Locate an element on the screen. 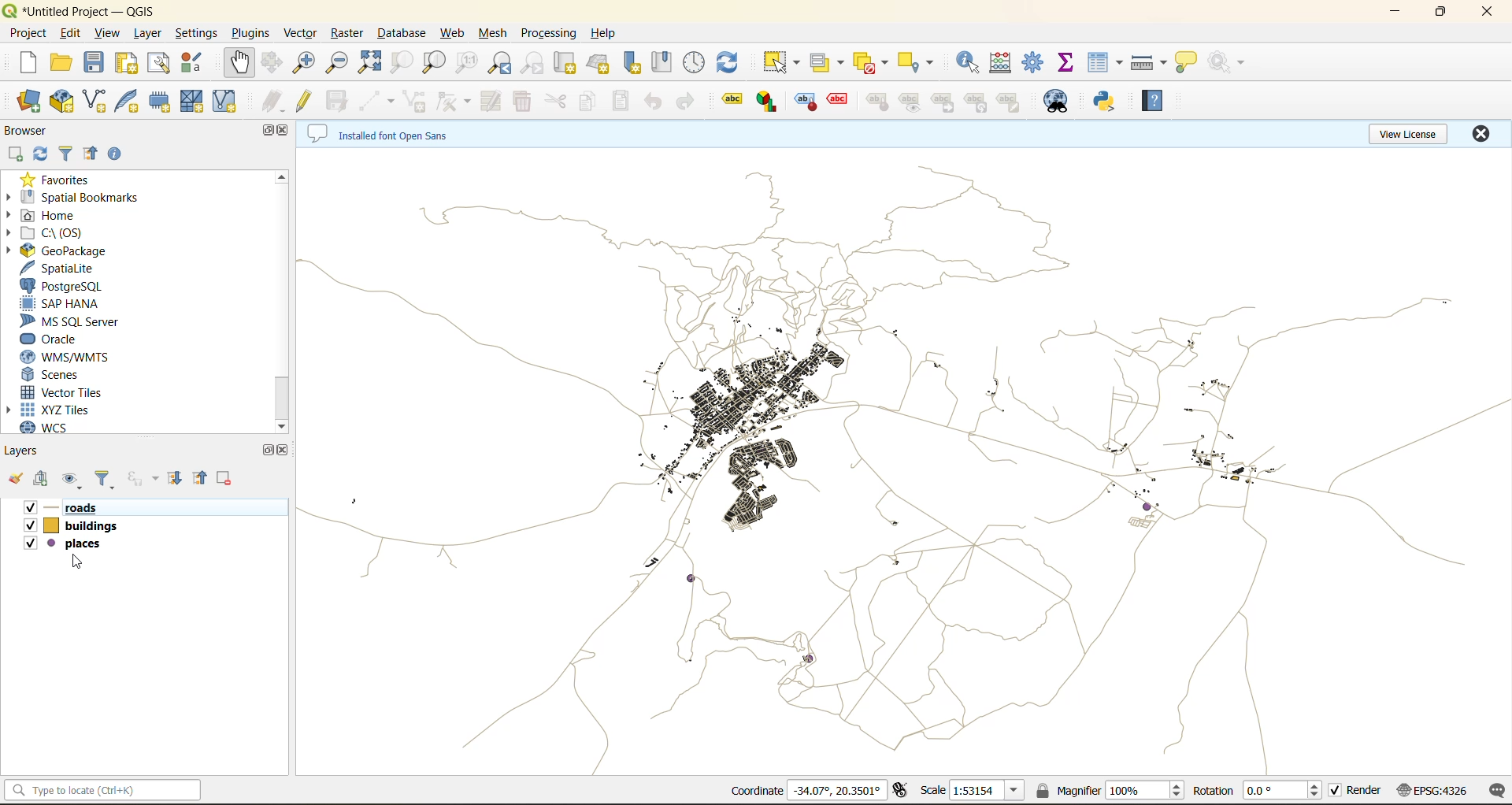  help is located at coordinates (1158, 101).